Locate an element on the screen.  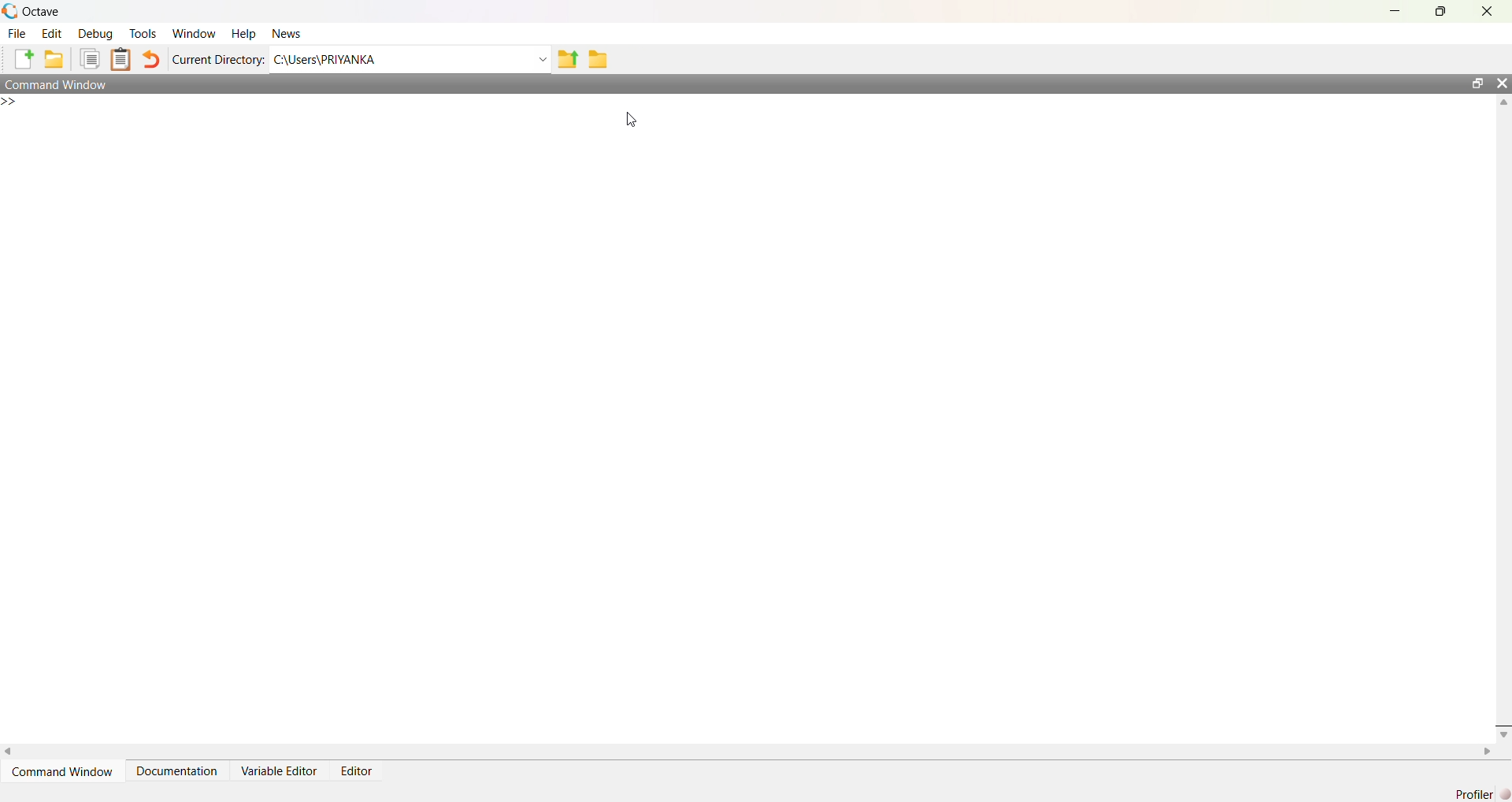
Close is located at coordinates (1484, 12).